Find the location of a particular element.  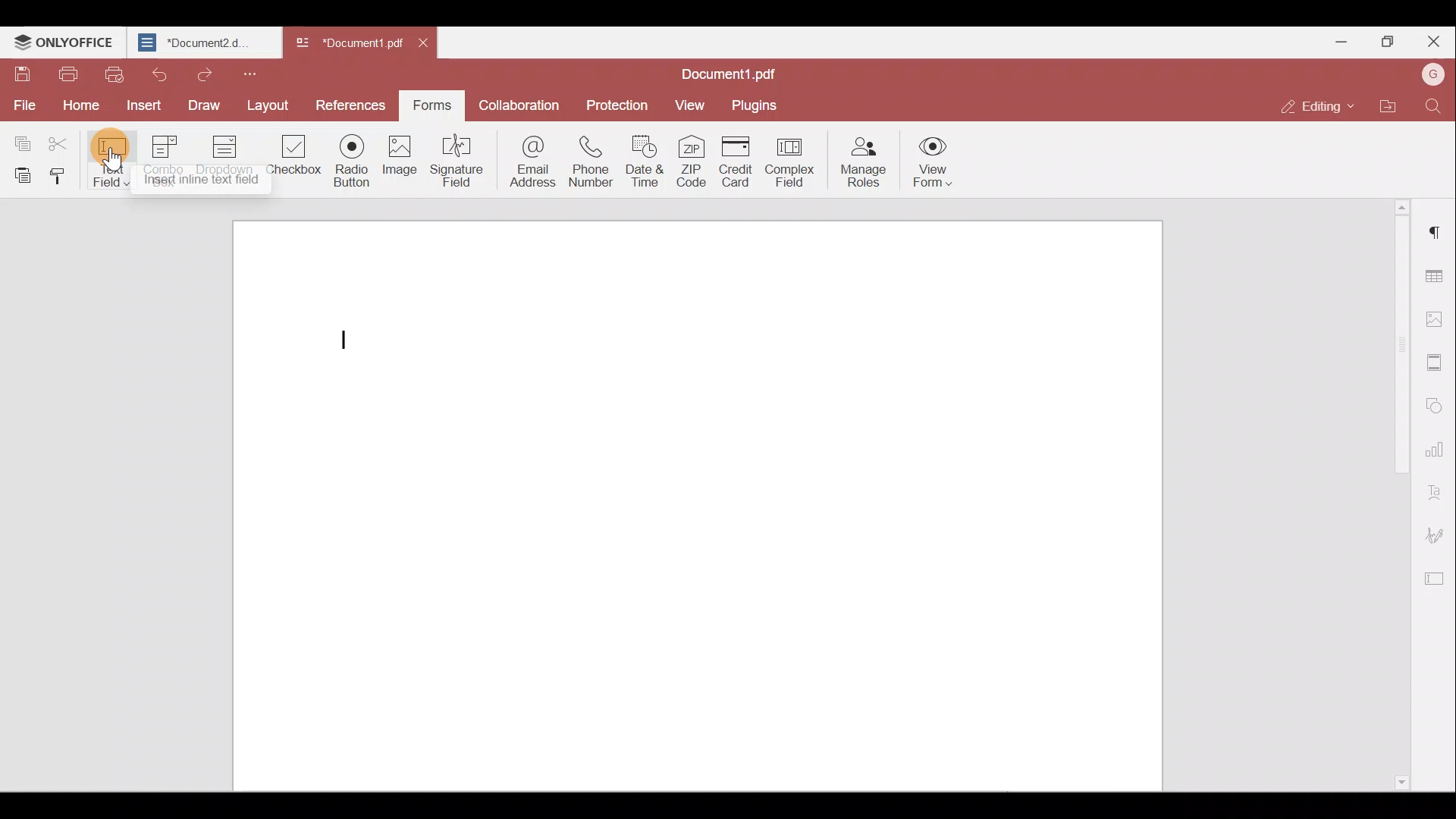

Signature settings is located at coordinates (1439, 532).